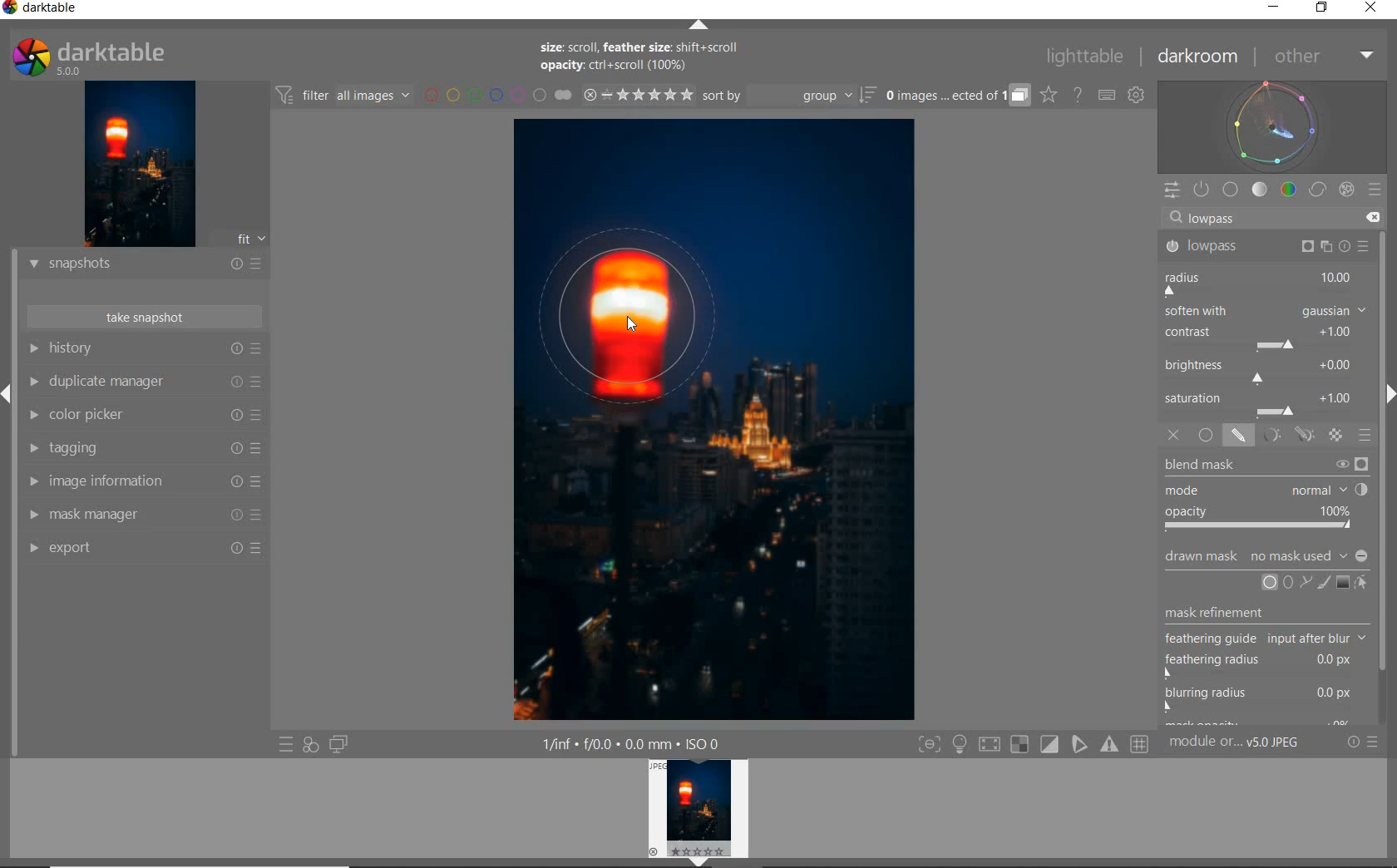 This screenshot has height=868, width=1397. What do you see at coordinates (140, 163) in the screenshot?
I see `IMAGE PREVIEW` at bounding box center [140, 163].